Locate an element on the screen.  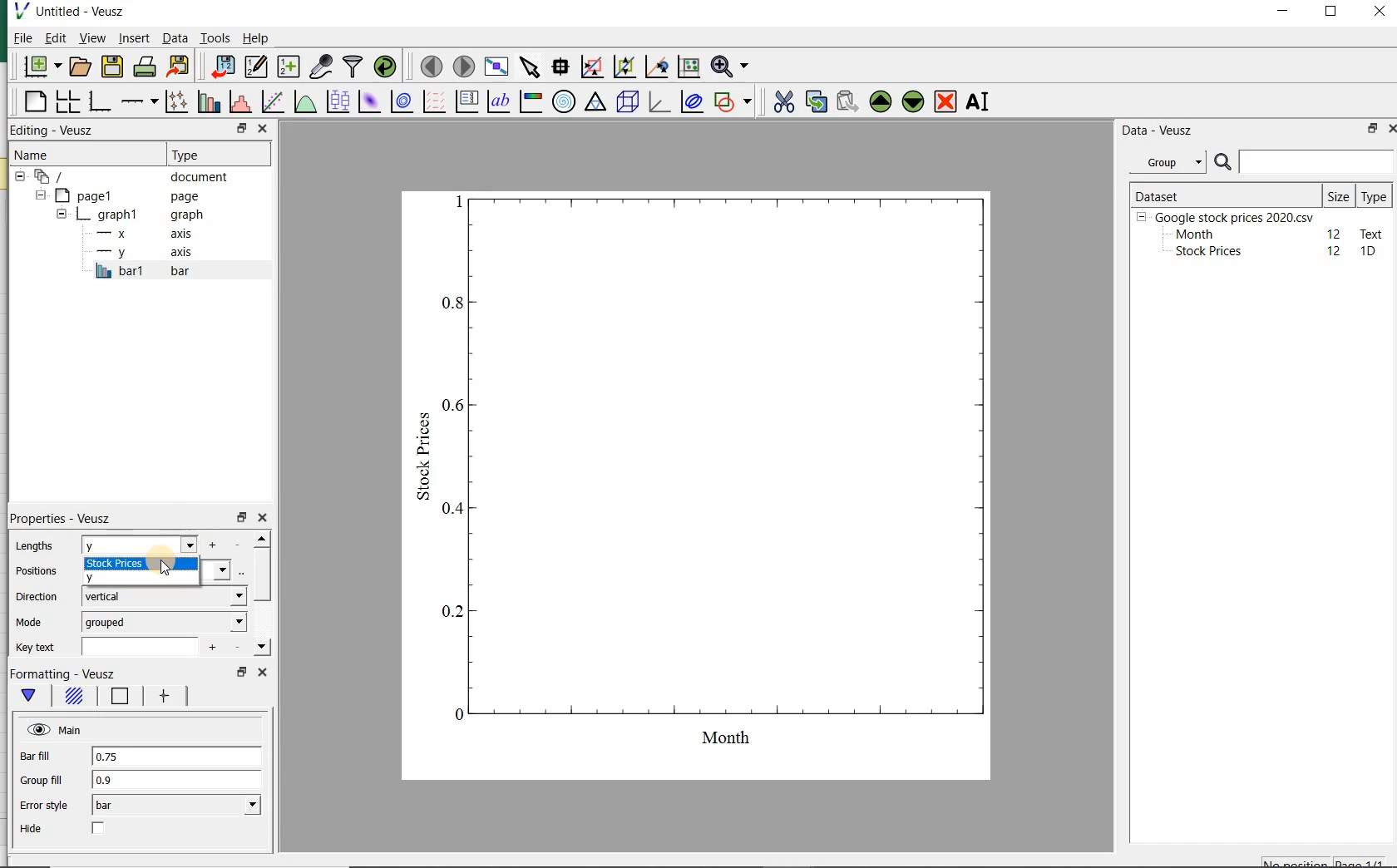
minimize is located at coordinates (1284, 12).